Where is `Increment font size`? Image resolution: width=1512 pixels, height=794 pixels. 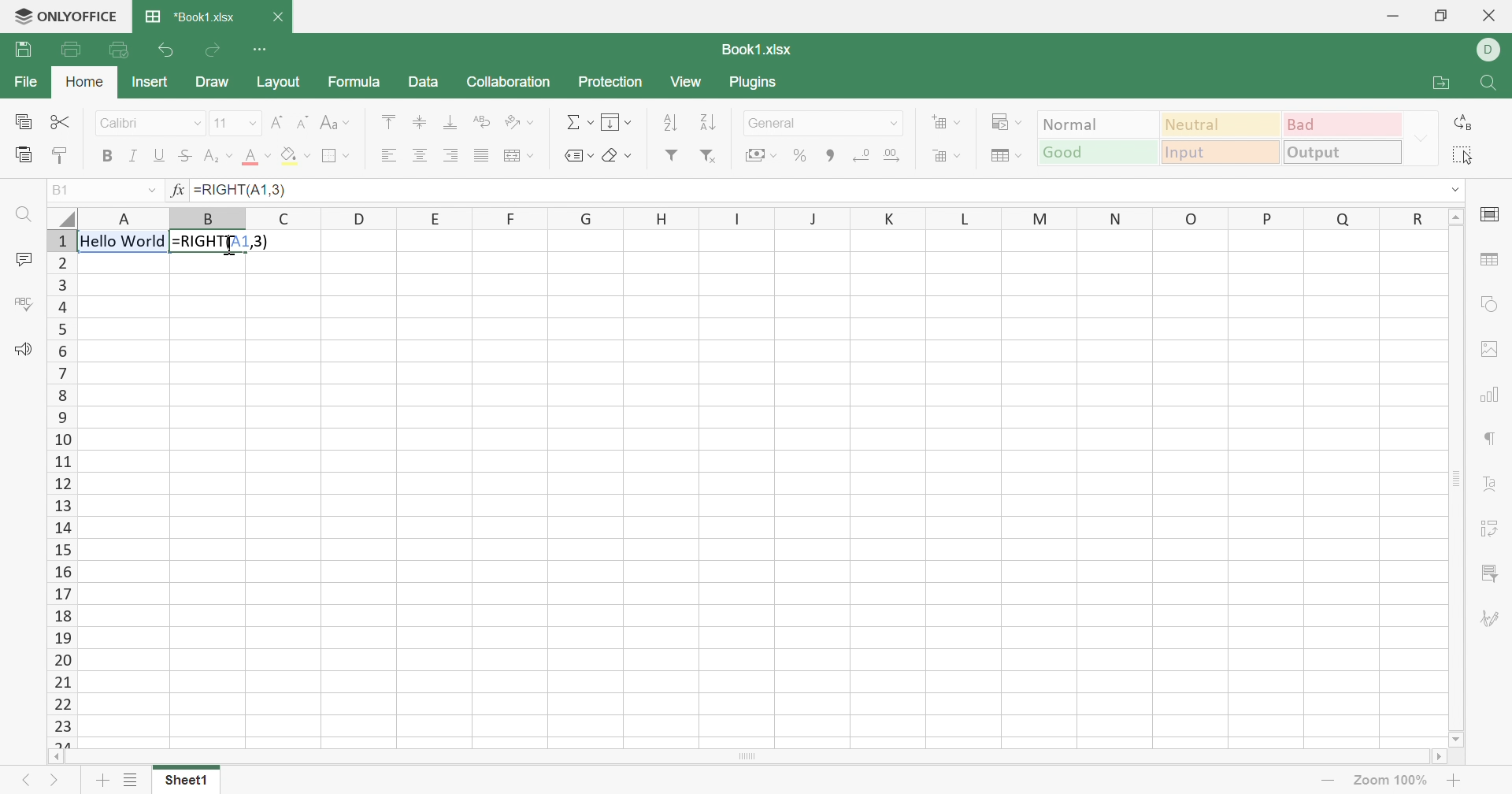
Increment font size is located at coordinates (279, 122).